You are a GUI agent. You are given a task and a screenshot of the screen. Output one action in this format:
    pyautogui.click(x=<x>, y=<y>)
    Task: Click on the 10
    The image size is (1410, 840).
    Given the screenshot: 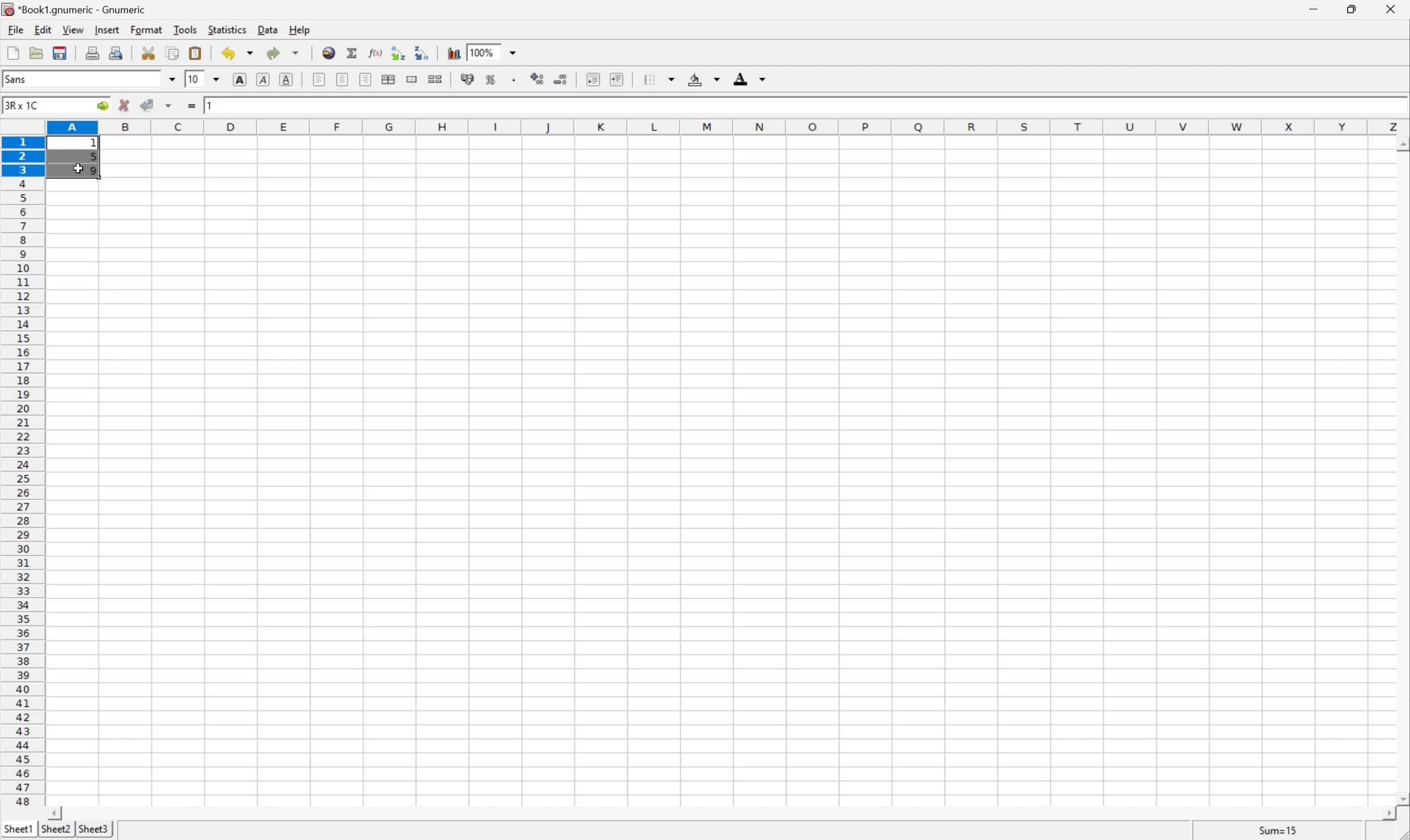 What is the action you would take?
    pyautogui.click(x=193, y=78)
    